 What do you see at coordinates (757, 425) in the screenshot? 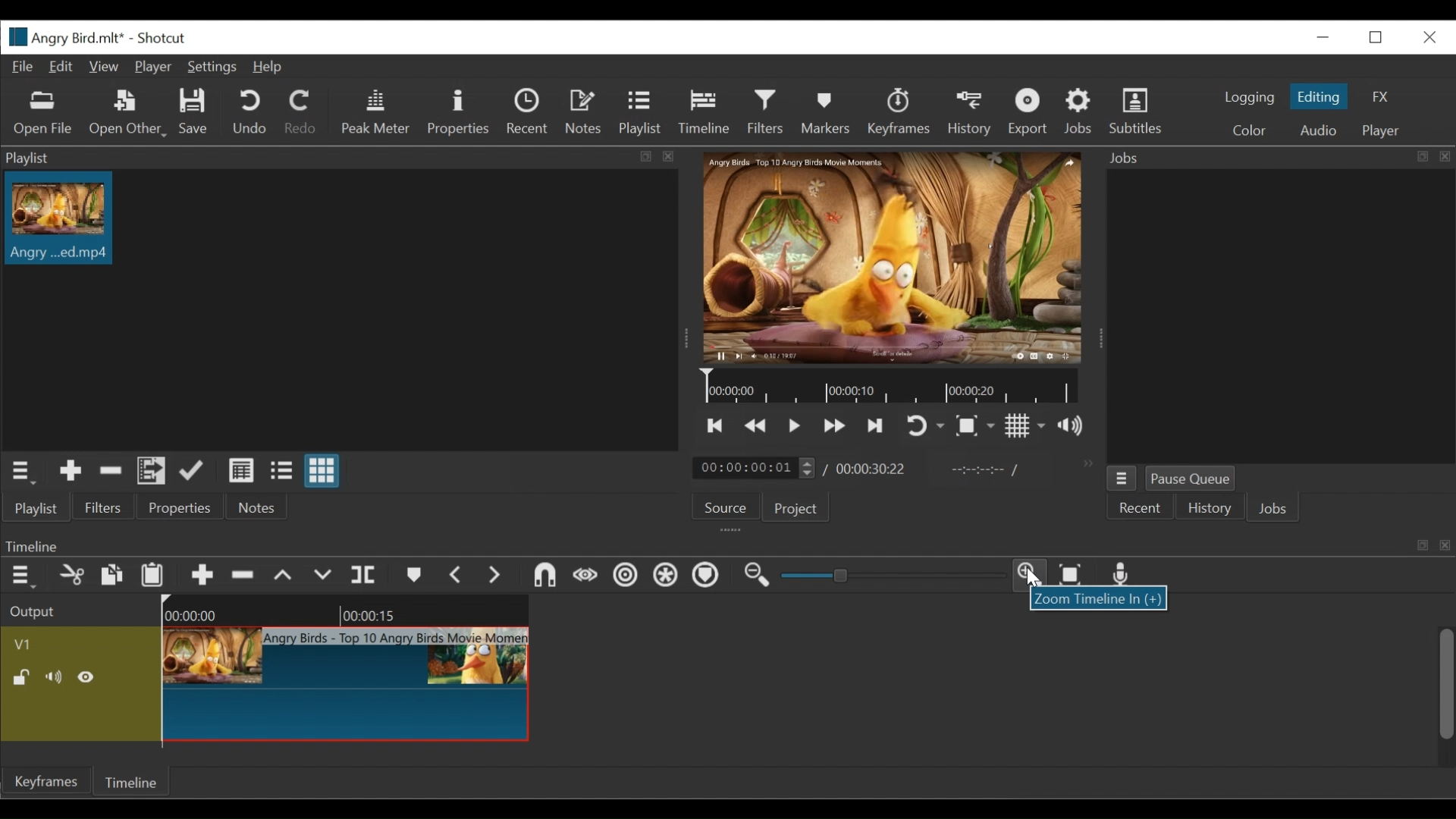
I see `play previous quickly` at bounding box center [757, 425].